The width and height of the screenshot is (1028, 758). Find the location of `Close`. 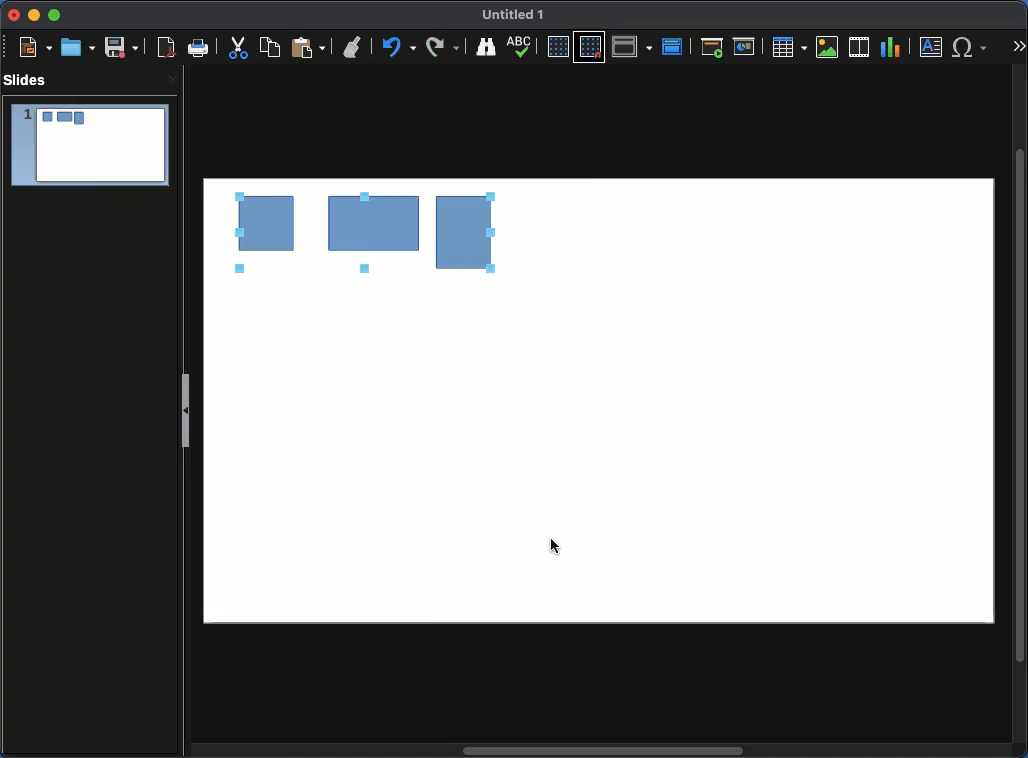

Close is located at coordinates (171, 82).